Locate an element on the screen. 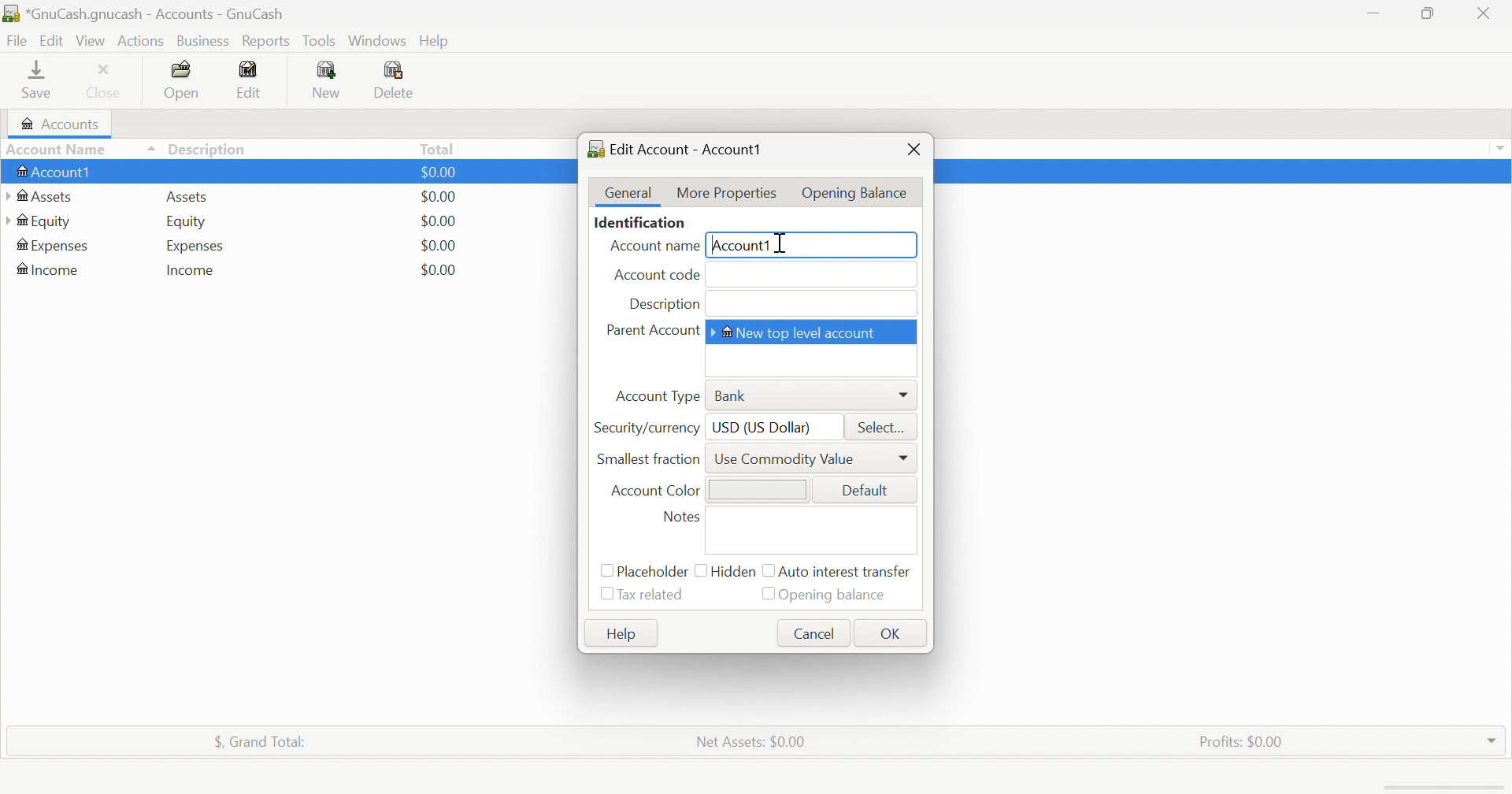  Income is located at coordinates (191, 273).